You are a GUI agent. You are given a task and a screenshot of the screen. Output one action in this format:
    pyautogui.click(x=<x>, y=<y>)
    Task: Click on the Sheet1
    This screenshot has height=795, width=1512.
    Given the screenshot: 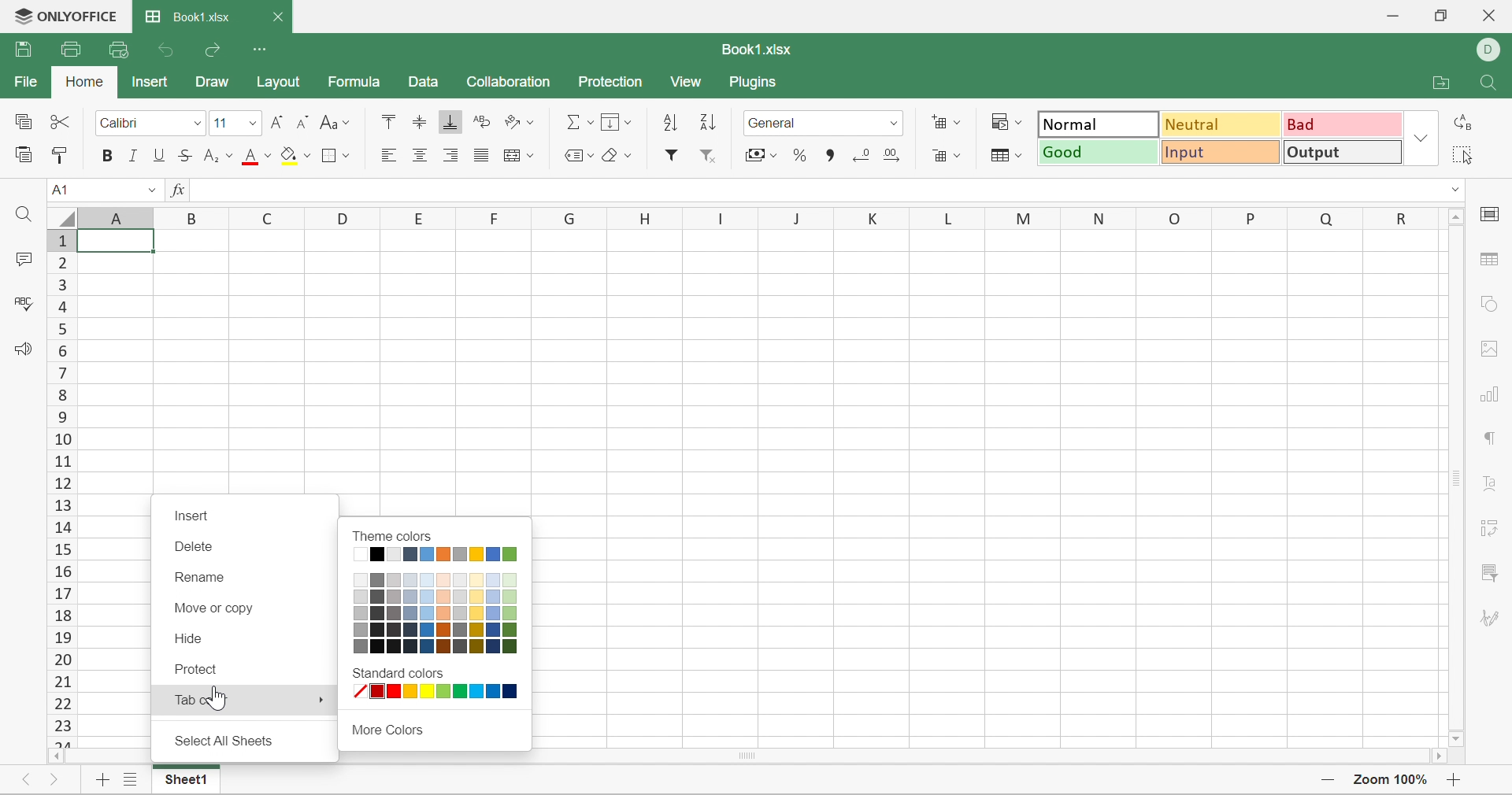 What is the action you would take?
    pyautogui.click(x=191, y=779)
    